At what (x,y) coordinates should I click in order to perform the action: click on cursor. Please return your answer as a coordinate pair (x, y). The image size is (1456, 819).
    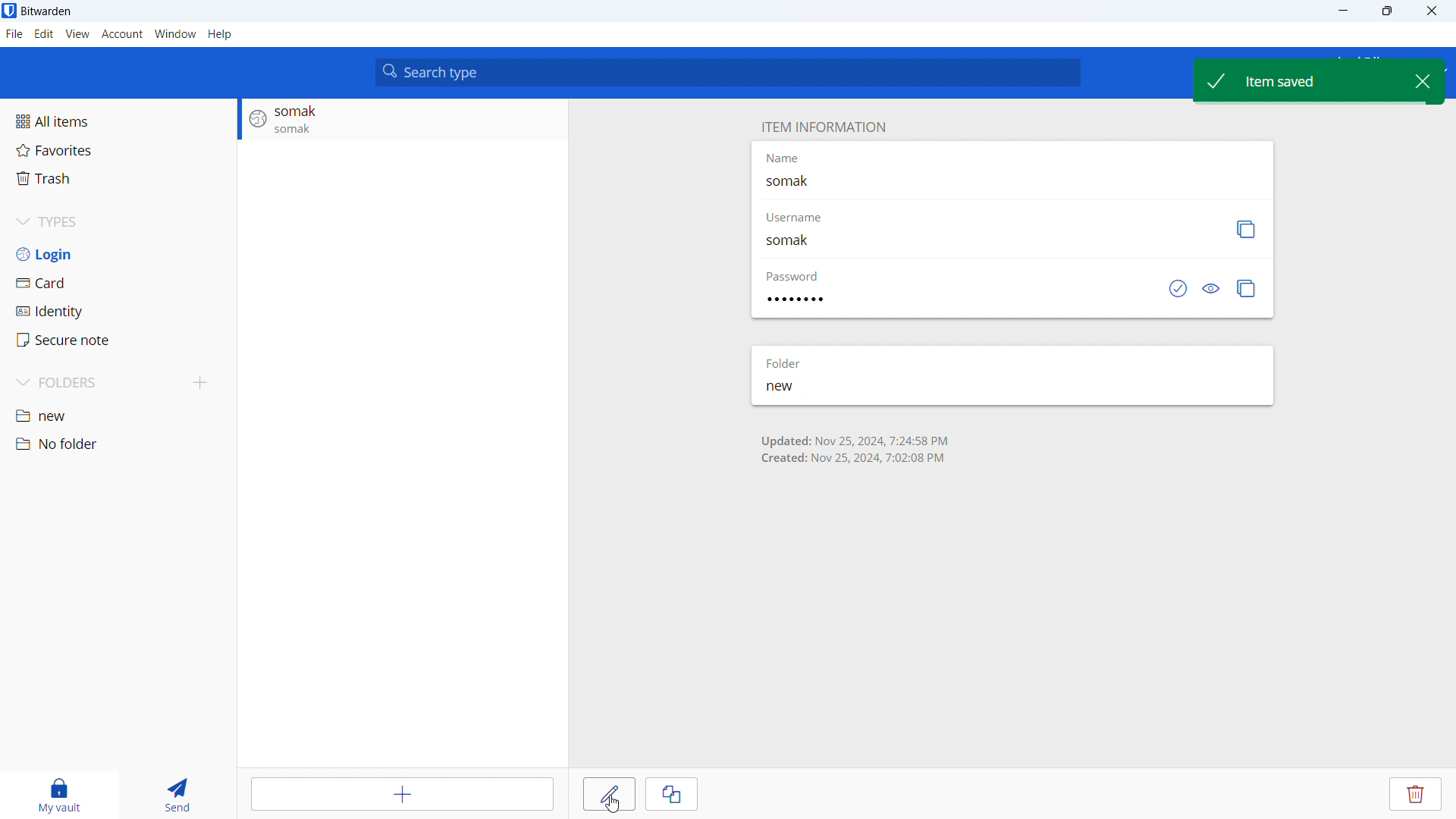
    Looking at the image, I should click on (606, 803).